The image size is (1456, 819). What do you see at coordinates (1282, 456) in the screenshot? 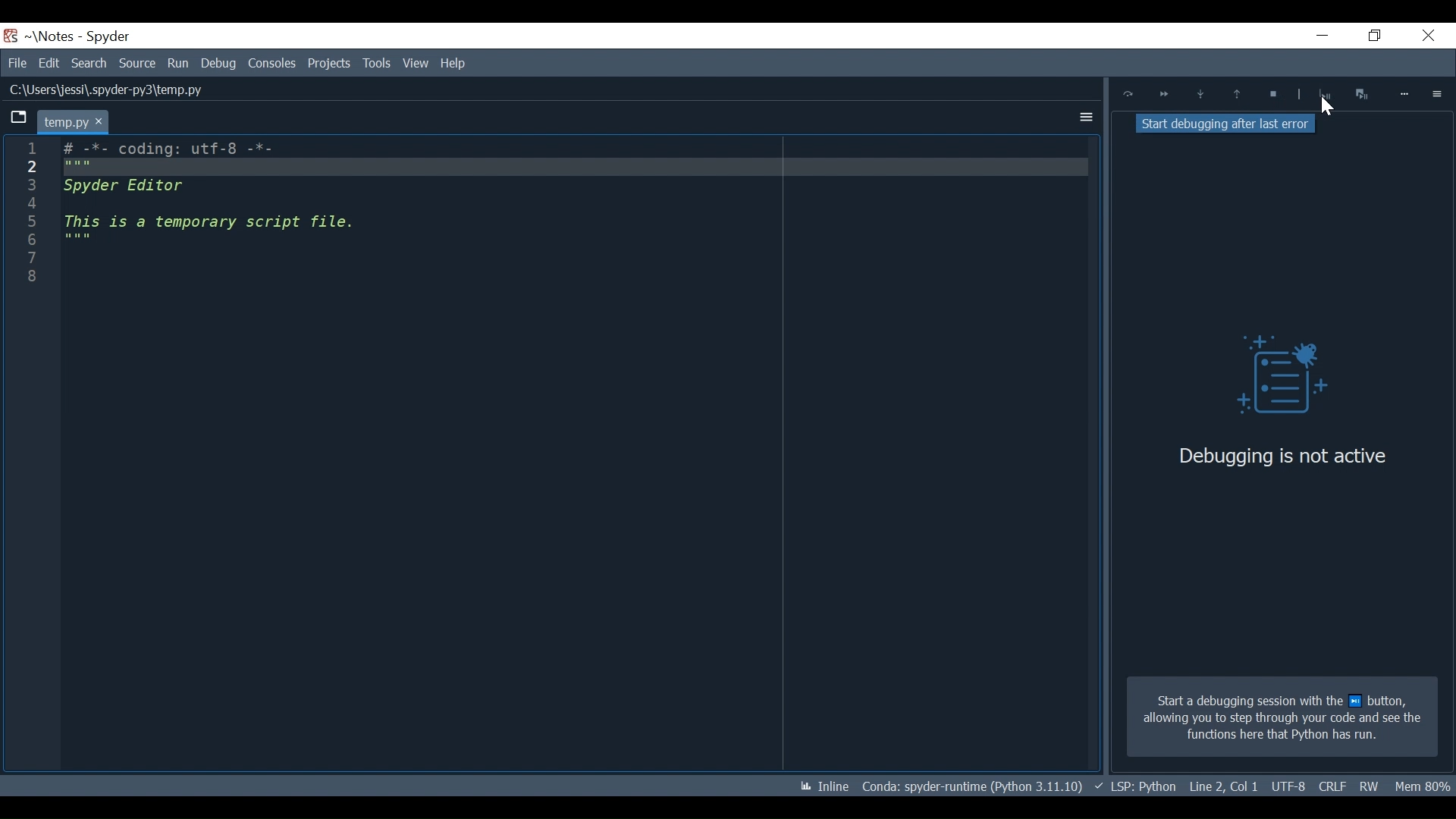
I see `Debugging is not active` at bounding box center [1282, 456].